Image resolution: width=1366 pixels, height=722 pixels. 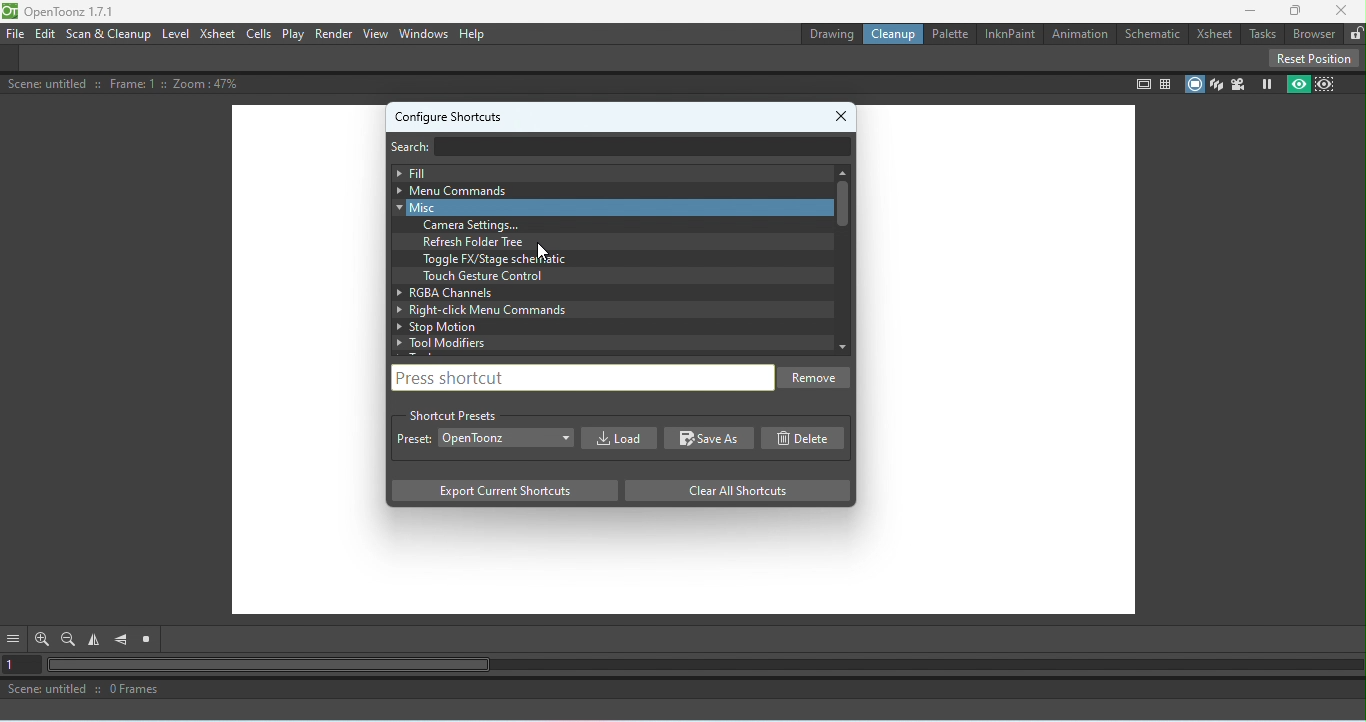 What do you see at coordinates (218, 34) in the screenshot?
I see `Xsheet` at bounding box center [218, 34].